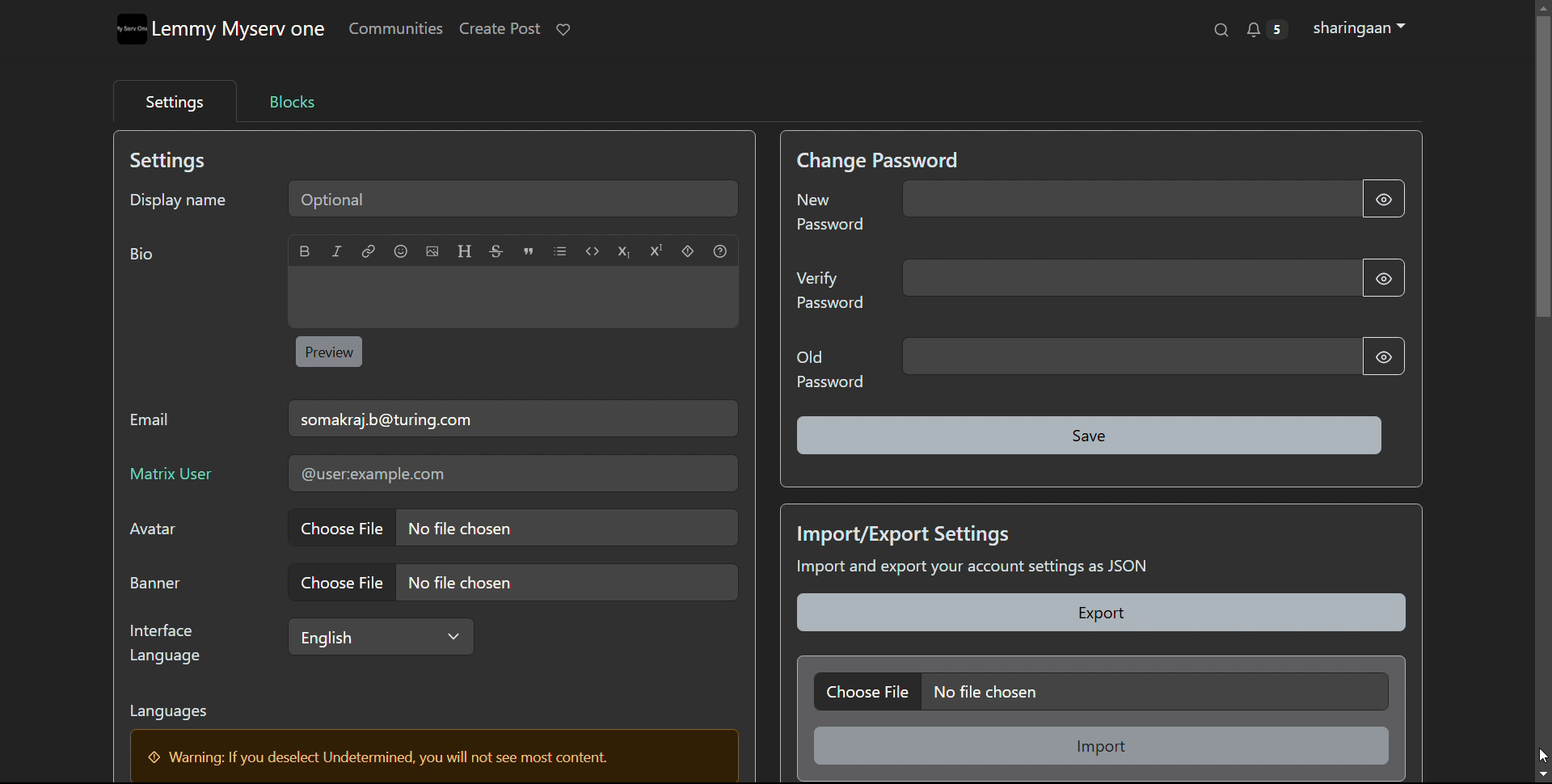 The height and width of the screenshot is (784, 1552). What do you see at coordinates (338, 251) in the screenshot?
I see `italic` at bounding box center [338, 251].